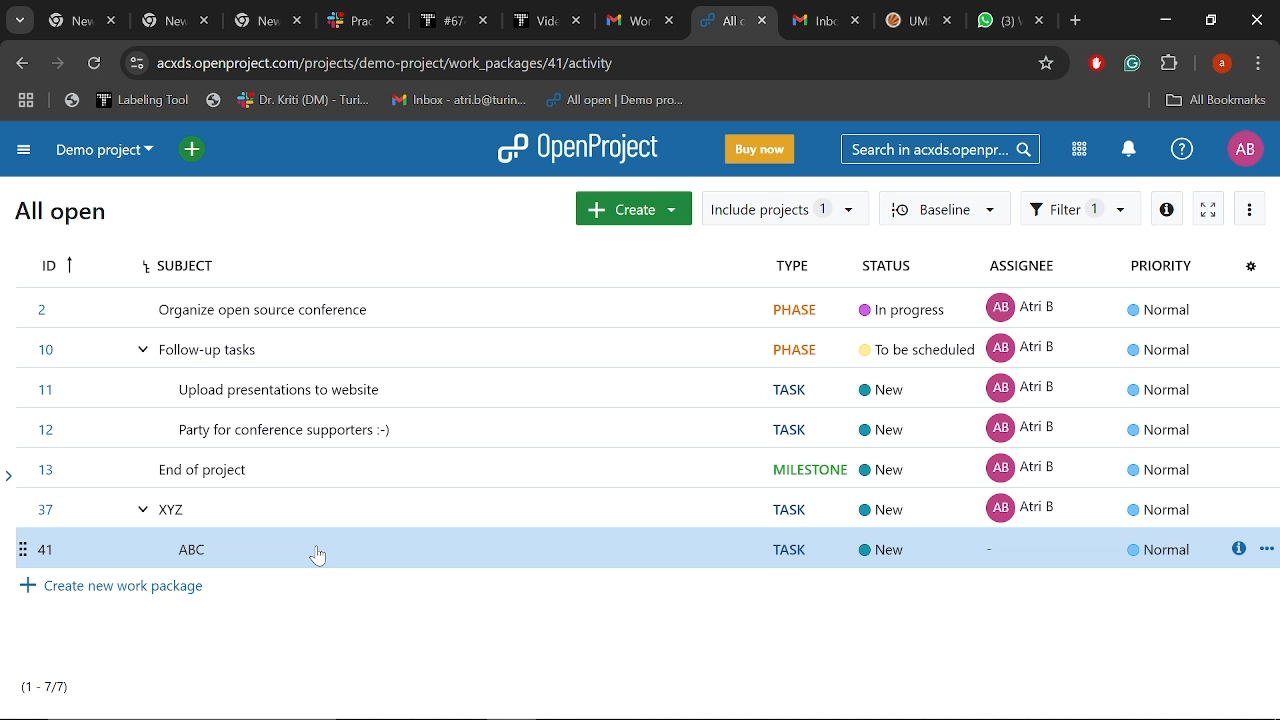 The width and height of the screenshot is (1280, 720). I want to click on Priority, so click(1162, 269).